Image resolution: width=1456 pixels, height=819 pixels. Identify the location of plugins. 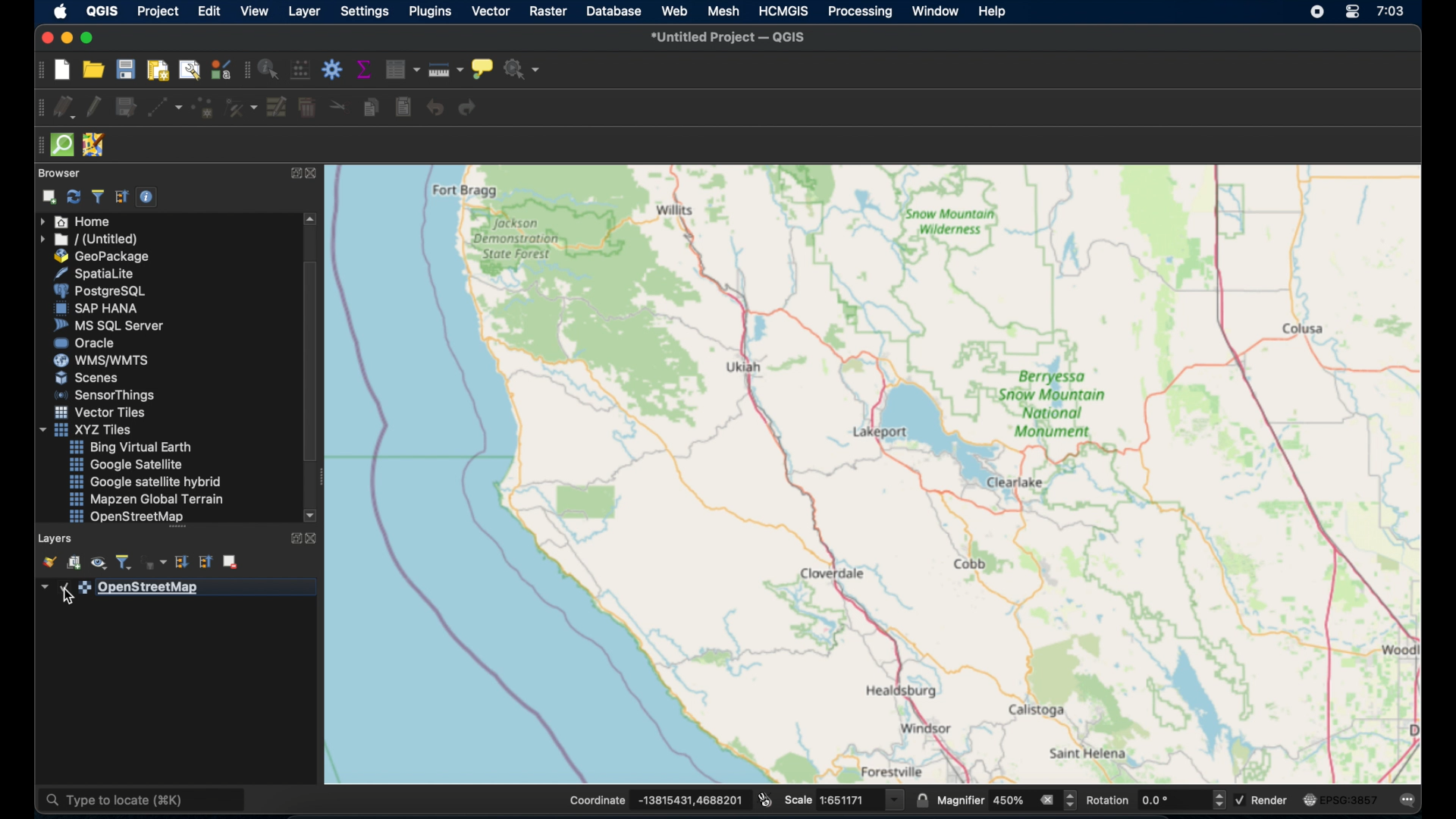
(429, 11).